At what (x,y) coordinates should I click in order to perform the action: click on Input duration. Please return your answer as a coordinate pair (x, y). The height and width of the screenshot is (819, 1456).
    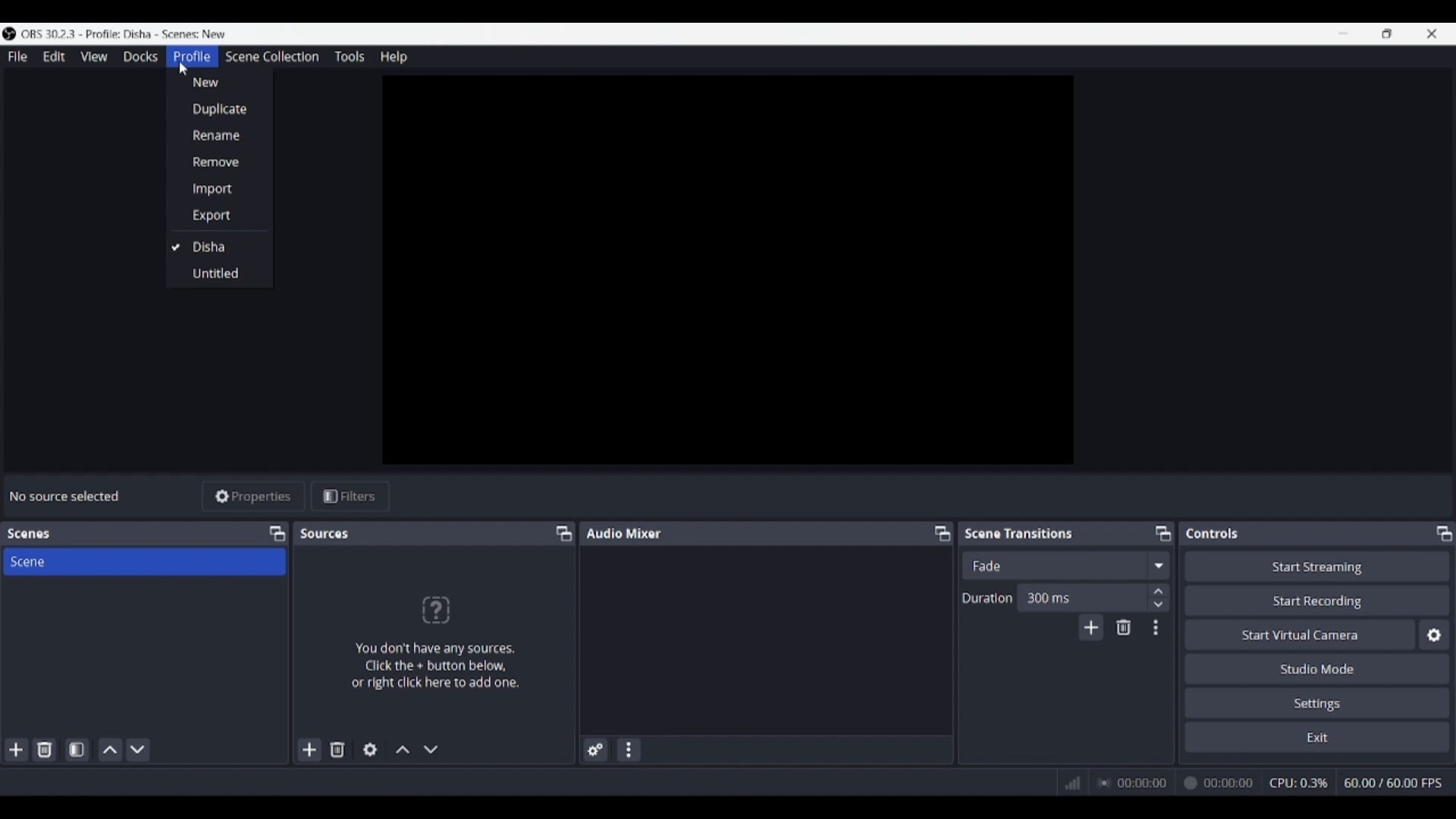
    Looking at the image, I should click on (1081, 597).